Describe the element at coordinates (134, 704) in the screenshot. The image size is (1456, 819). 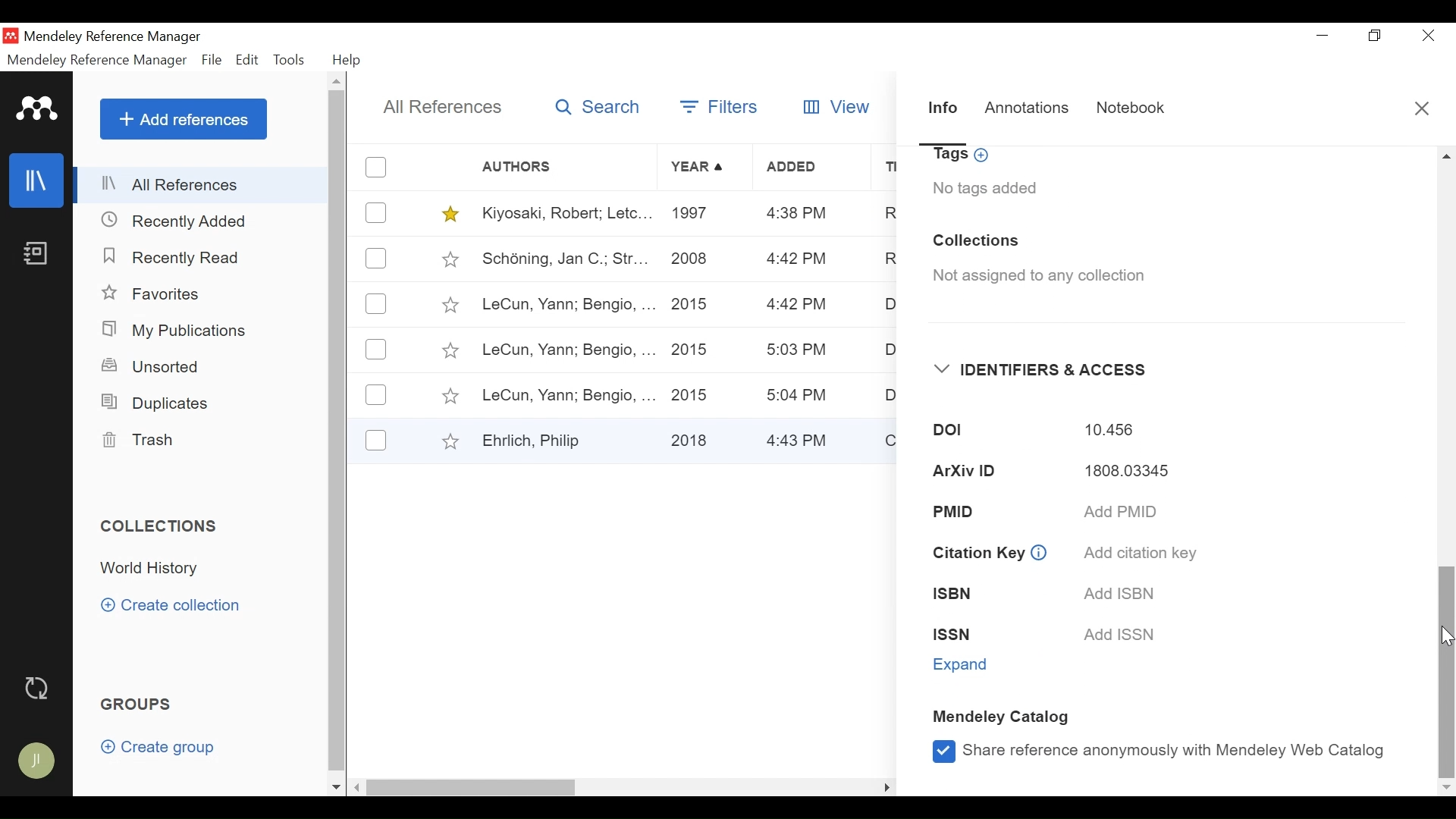
I see `Groups` at that location.